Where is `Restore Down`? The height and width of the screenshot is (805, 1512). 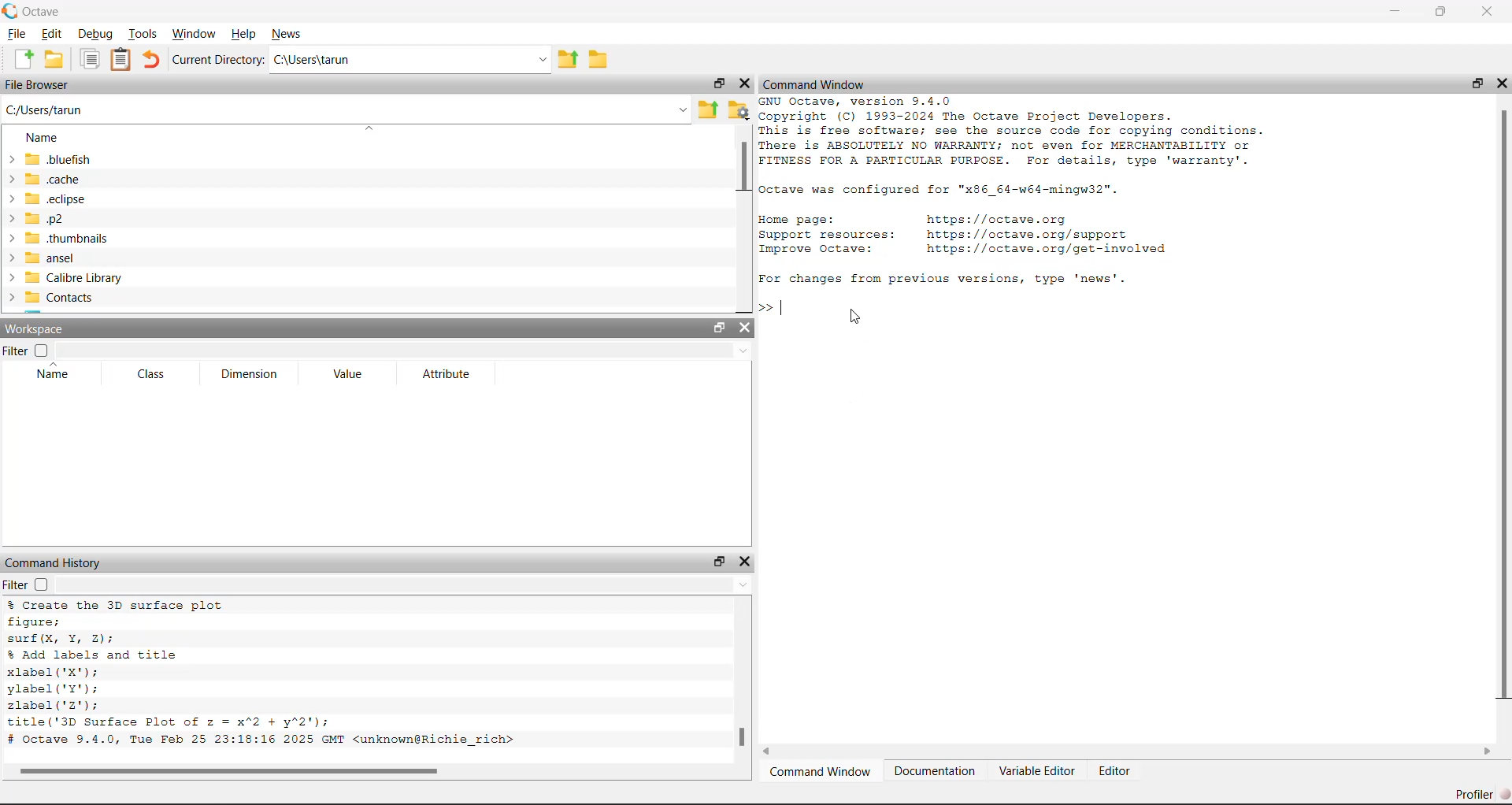
Restore Down is located at coordinates (719, 325).